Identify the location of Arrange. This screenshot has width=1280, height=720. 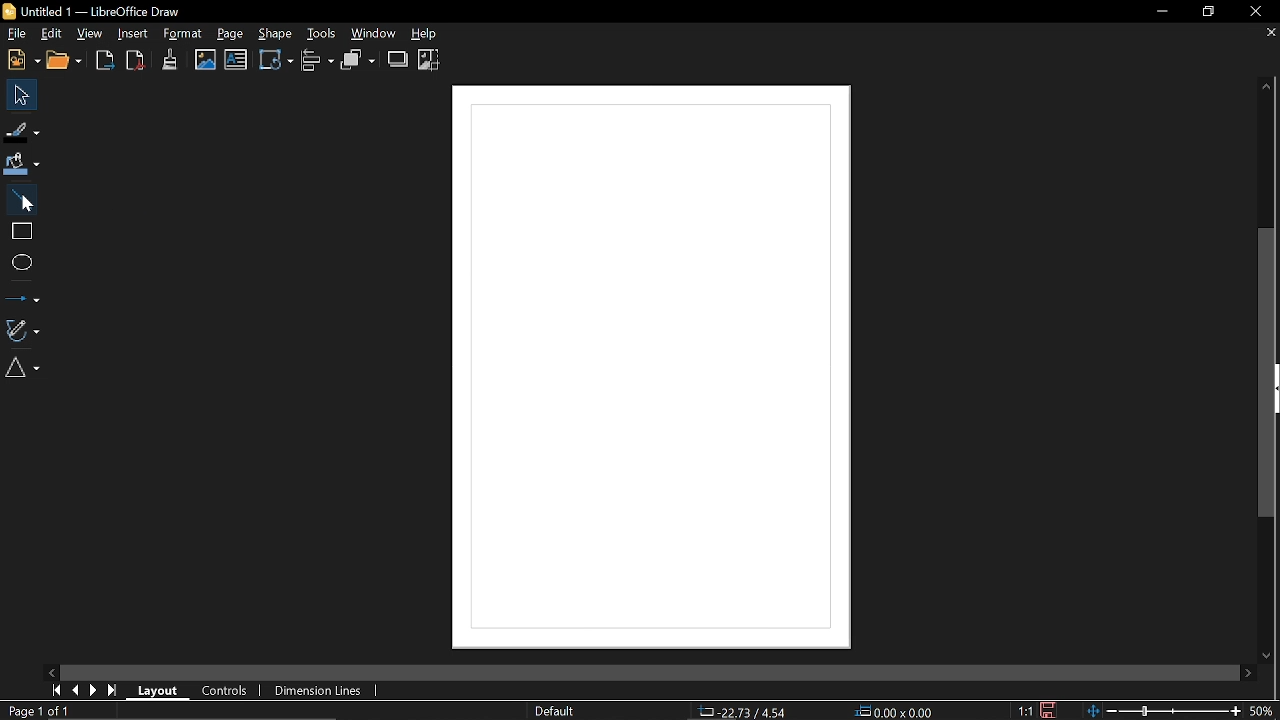
(359, 61).